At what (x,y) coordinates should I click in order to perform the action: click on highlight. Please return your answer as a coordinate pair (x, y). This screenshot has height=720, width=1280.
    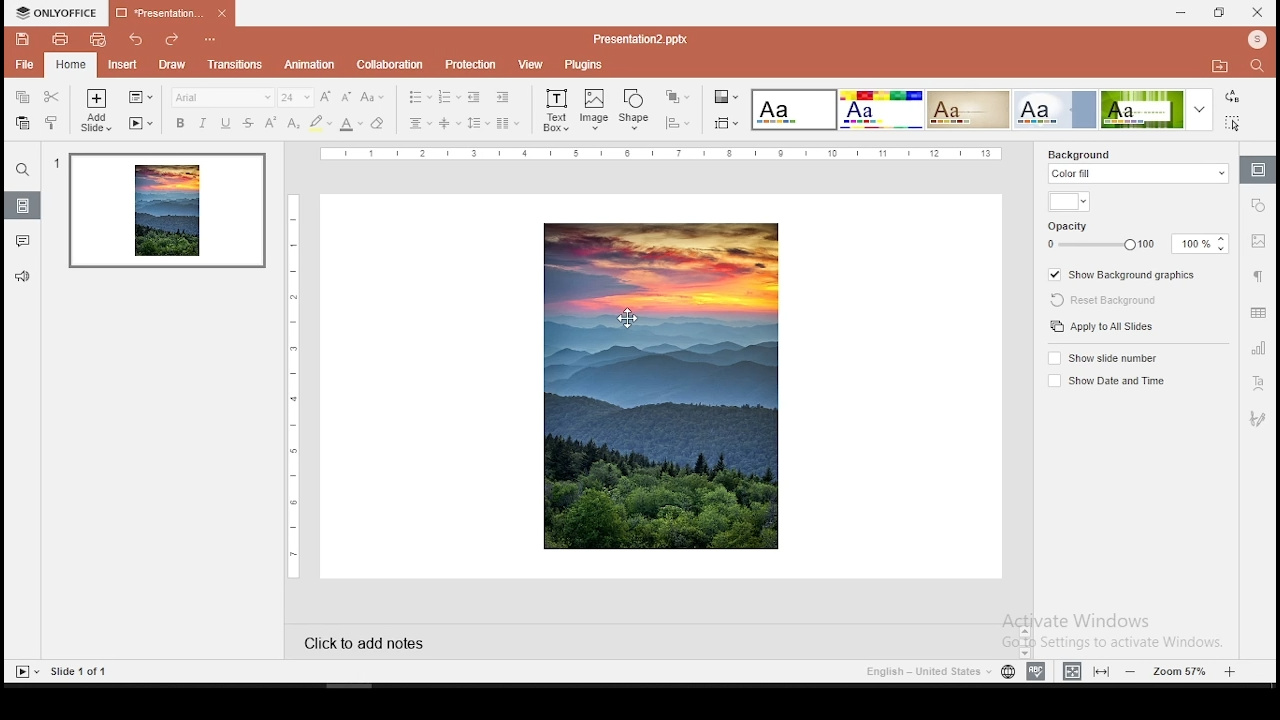
    Looking at the image, I should click on (320, 123).